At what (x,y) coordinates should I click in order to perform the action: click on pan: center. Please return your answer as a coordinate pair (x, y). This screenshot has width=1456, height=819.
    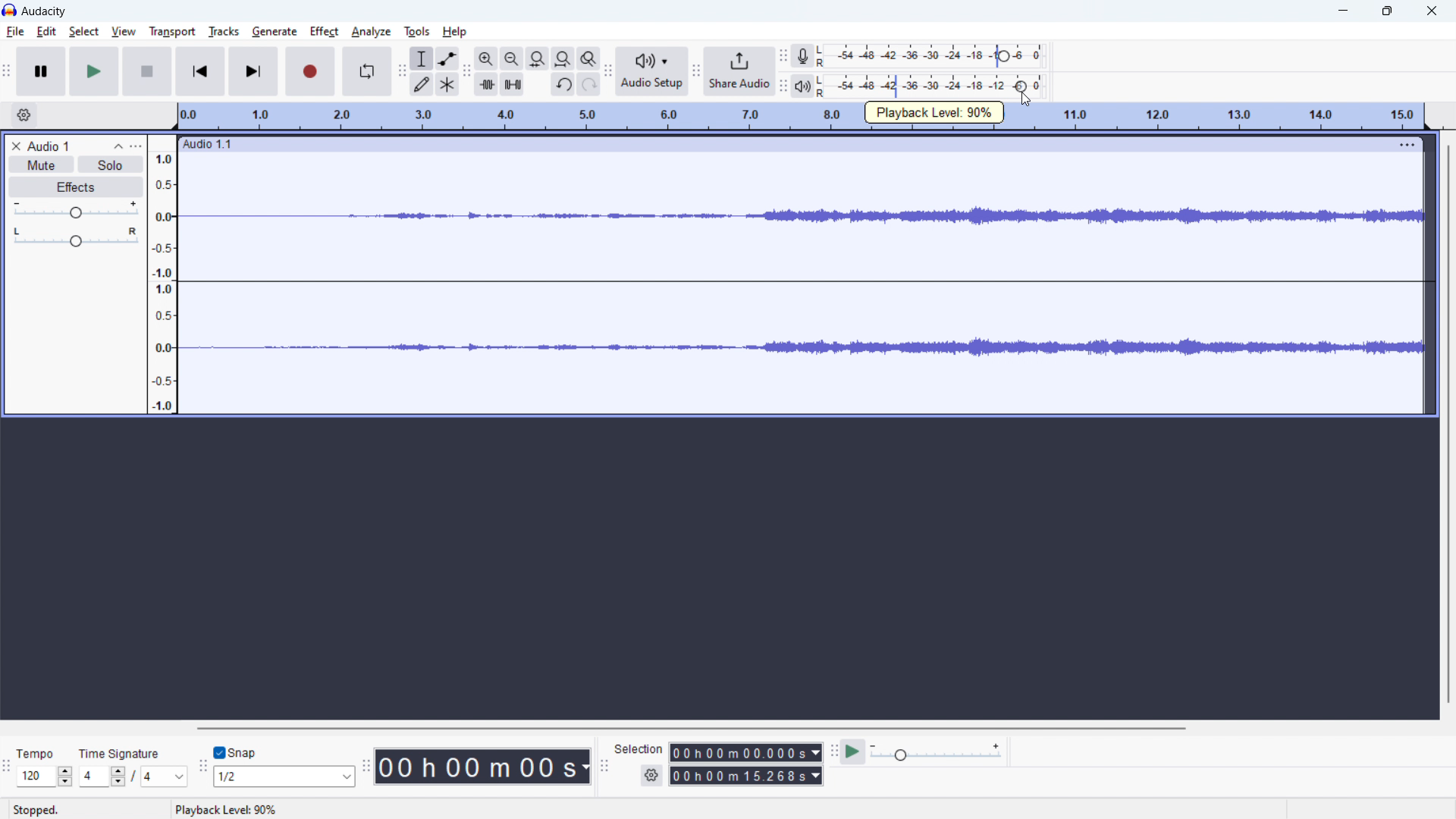
    Looking at the image, I should click on (75, 237).